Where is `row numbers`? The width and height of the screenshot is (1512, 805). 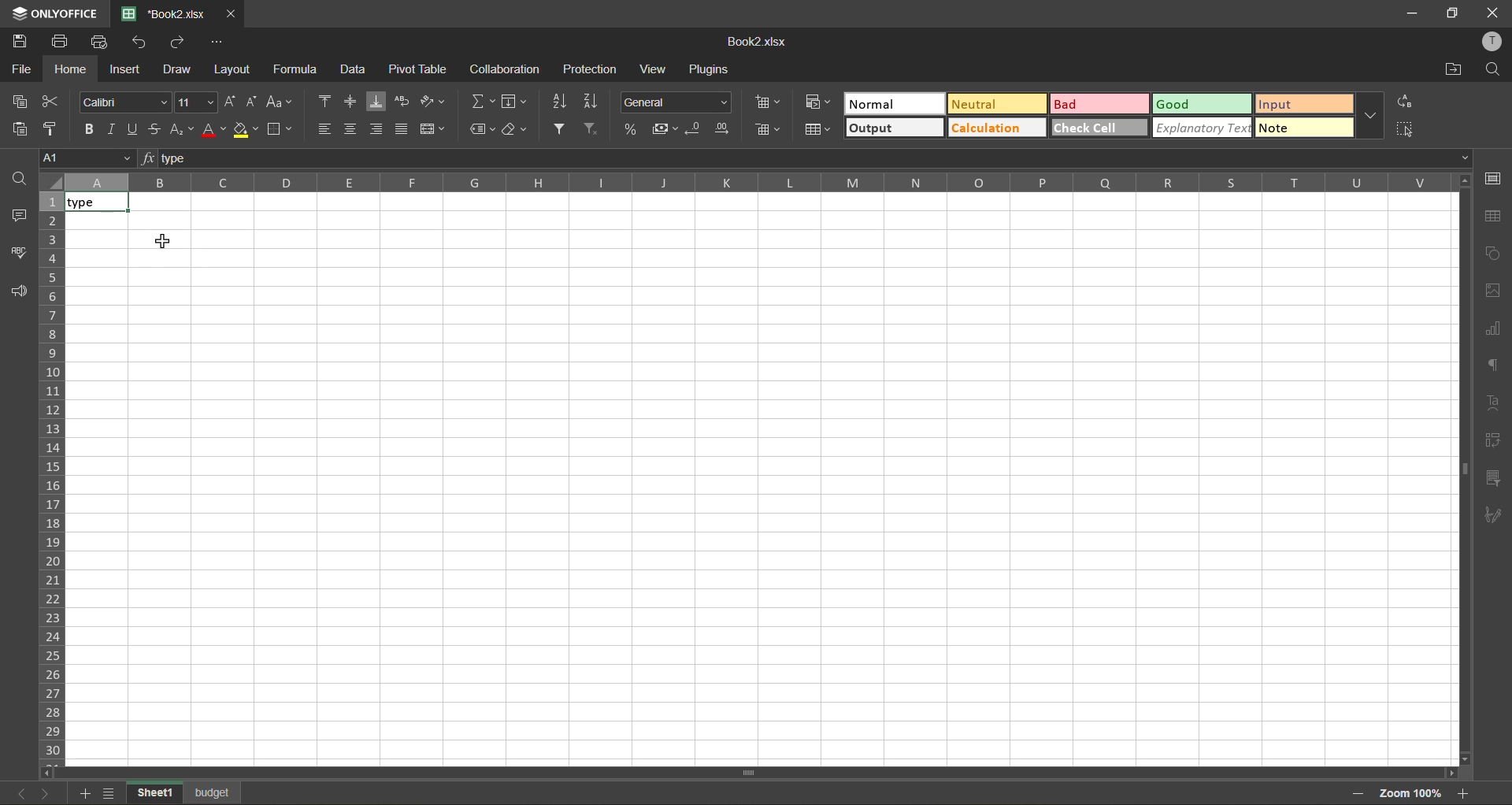 row numbers is located at coordinates (52, 478).